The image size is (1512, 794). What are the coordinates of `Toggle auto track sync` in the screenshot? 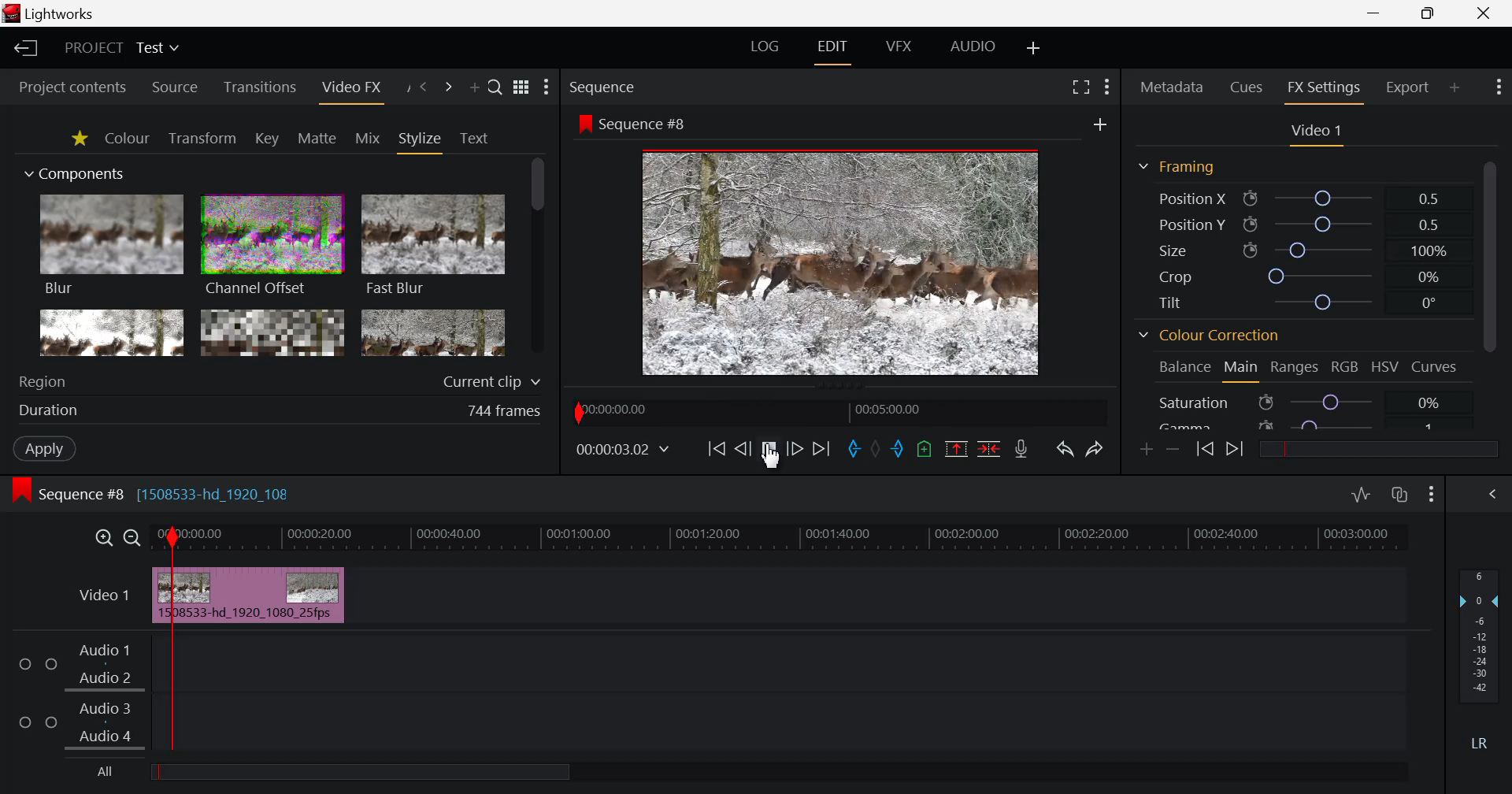 It's located at (1400, 495).